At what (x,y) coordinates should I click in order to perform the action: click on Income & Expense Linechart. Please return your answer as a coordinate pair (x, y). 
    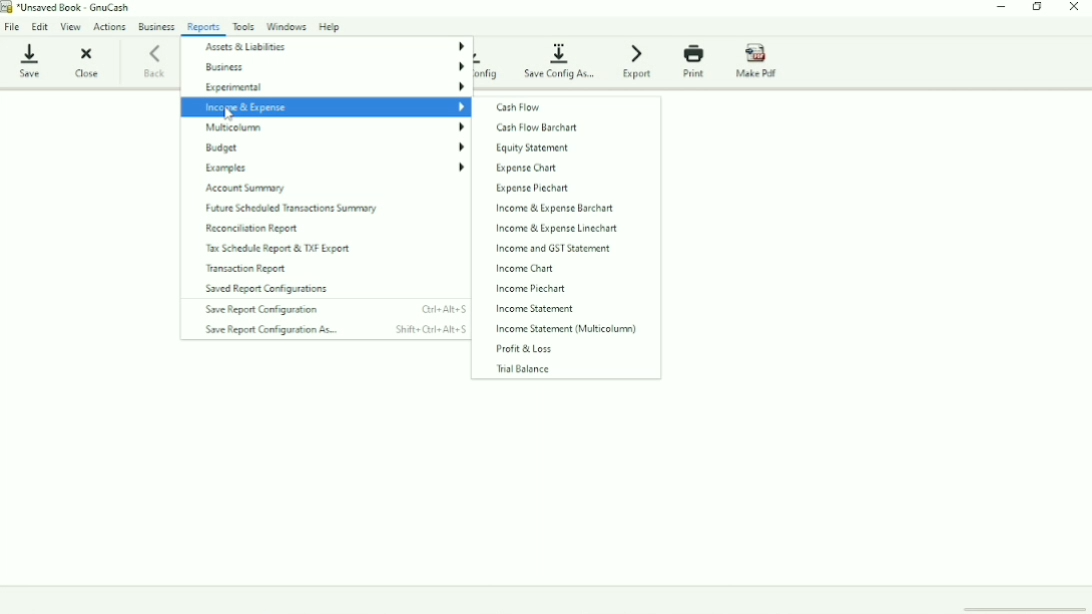
    Looking at the image, I should click on (555, 228).